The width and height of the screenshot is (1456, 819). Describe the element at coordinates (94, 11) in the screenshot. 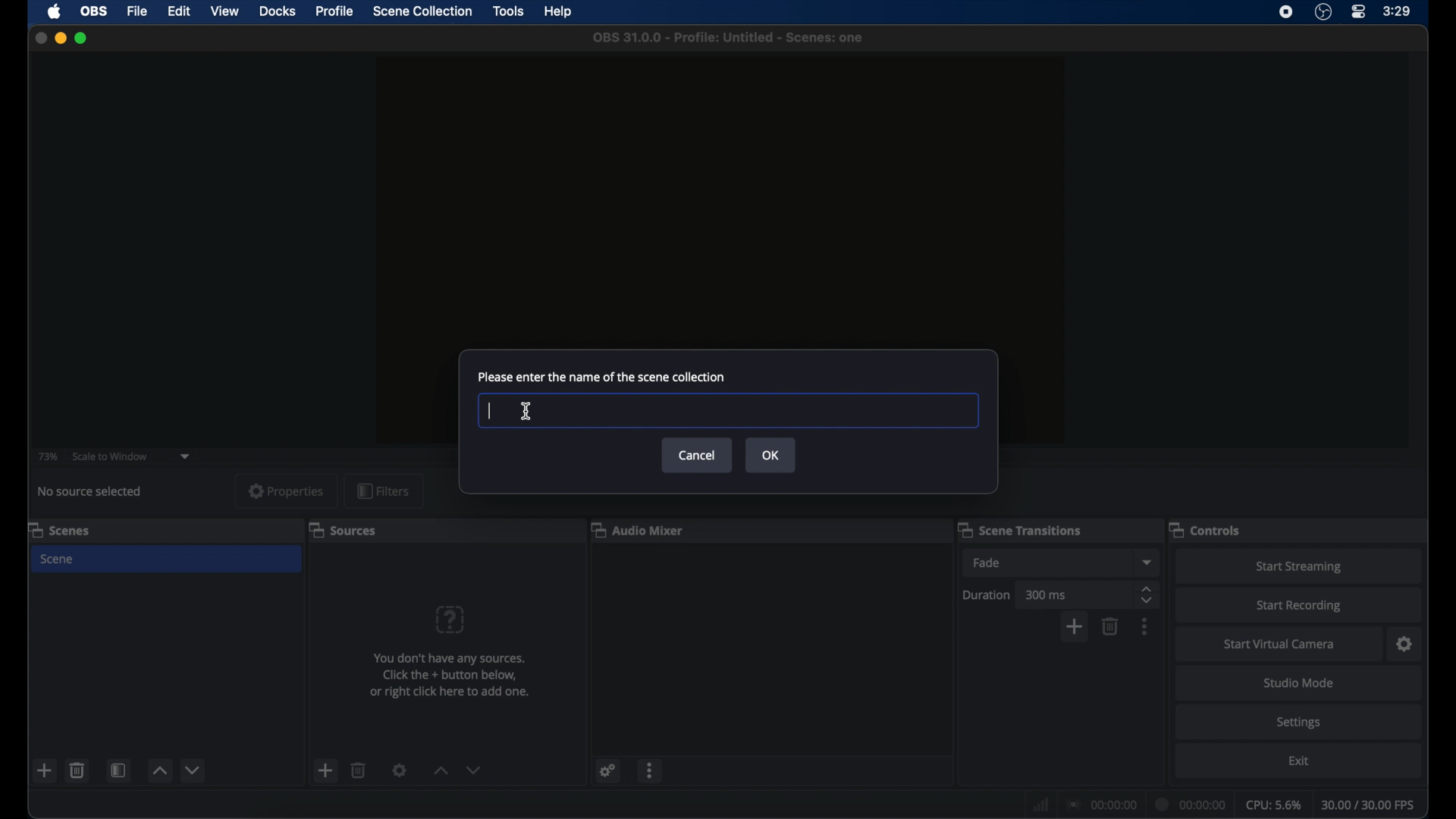

I see `obs` at that location.